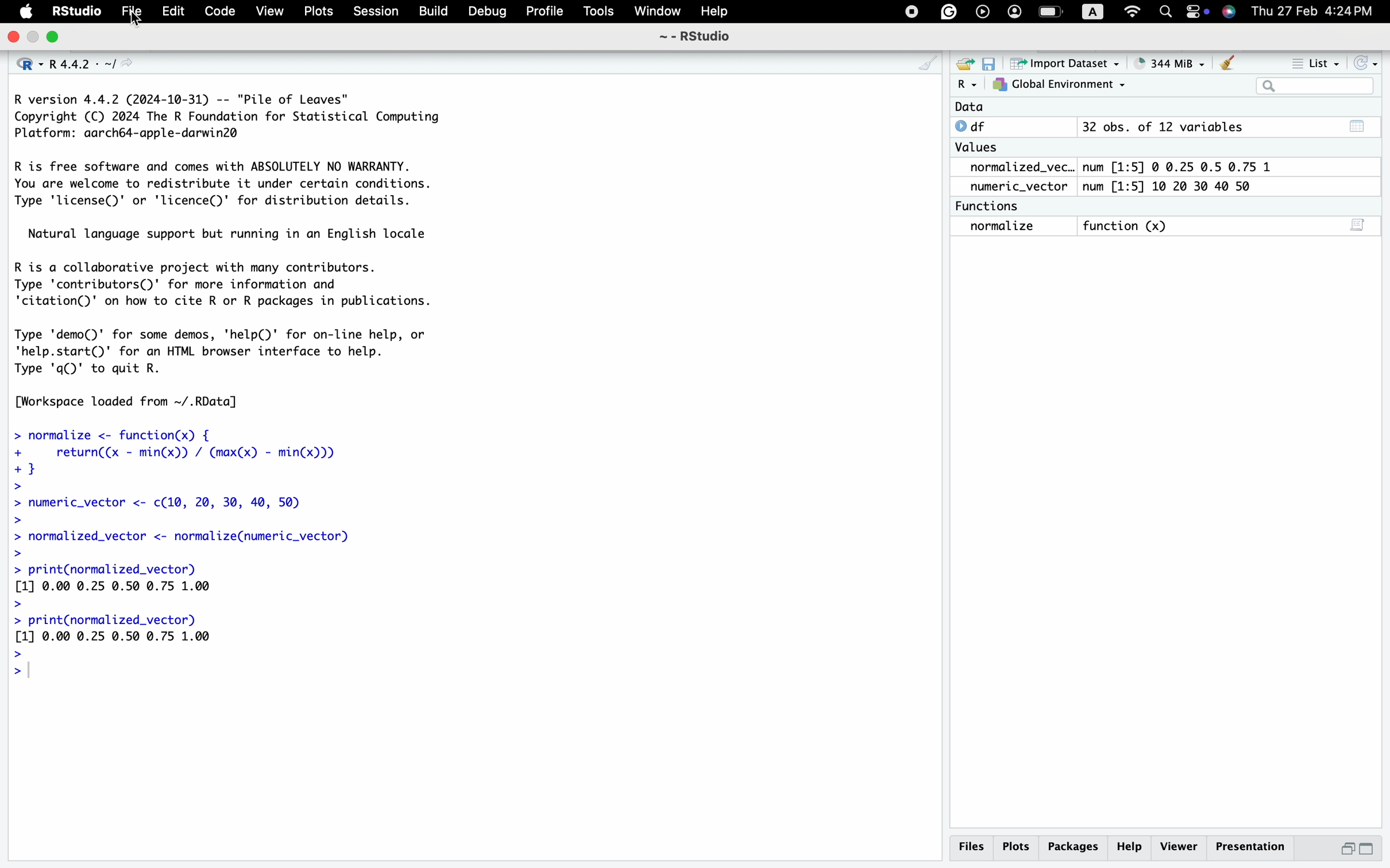  What do you see at coordinates (374, 13) in the screenshot?
I see `Session` at bounding box center [374, 13].